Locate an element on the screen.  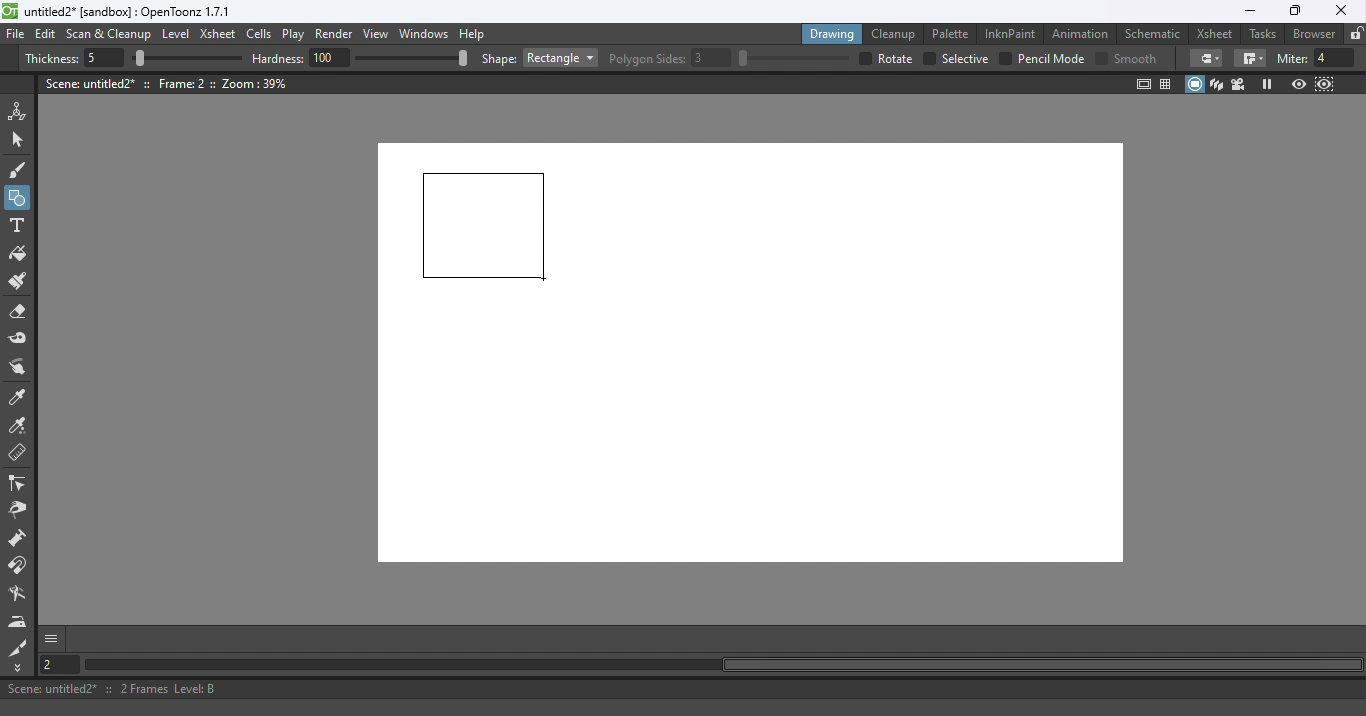
Polygon slides is located at coordinates (647, 59).